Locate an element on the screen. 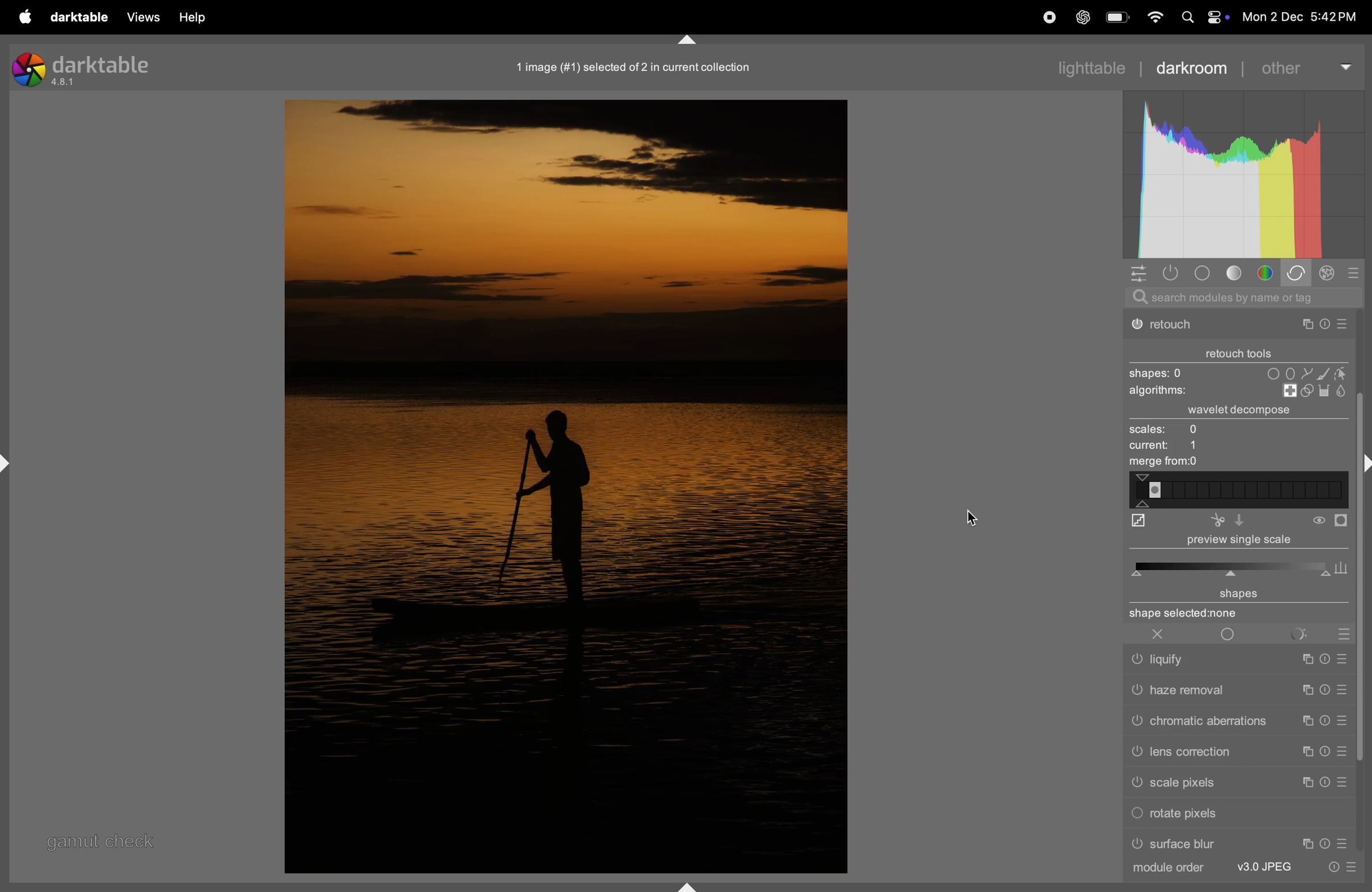 The width and height of the screenshot is (1372, 892). lighttable is located at coordinates (1086, 67).